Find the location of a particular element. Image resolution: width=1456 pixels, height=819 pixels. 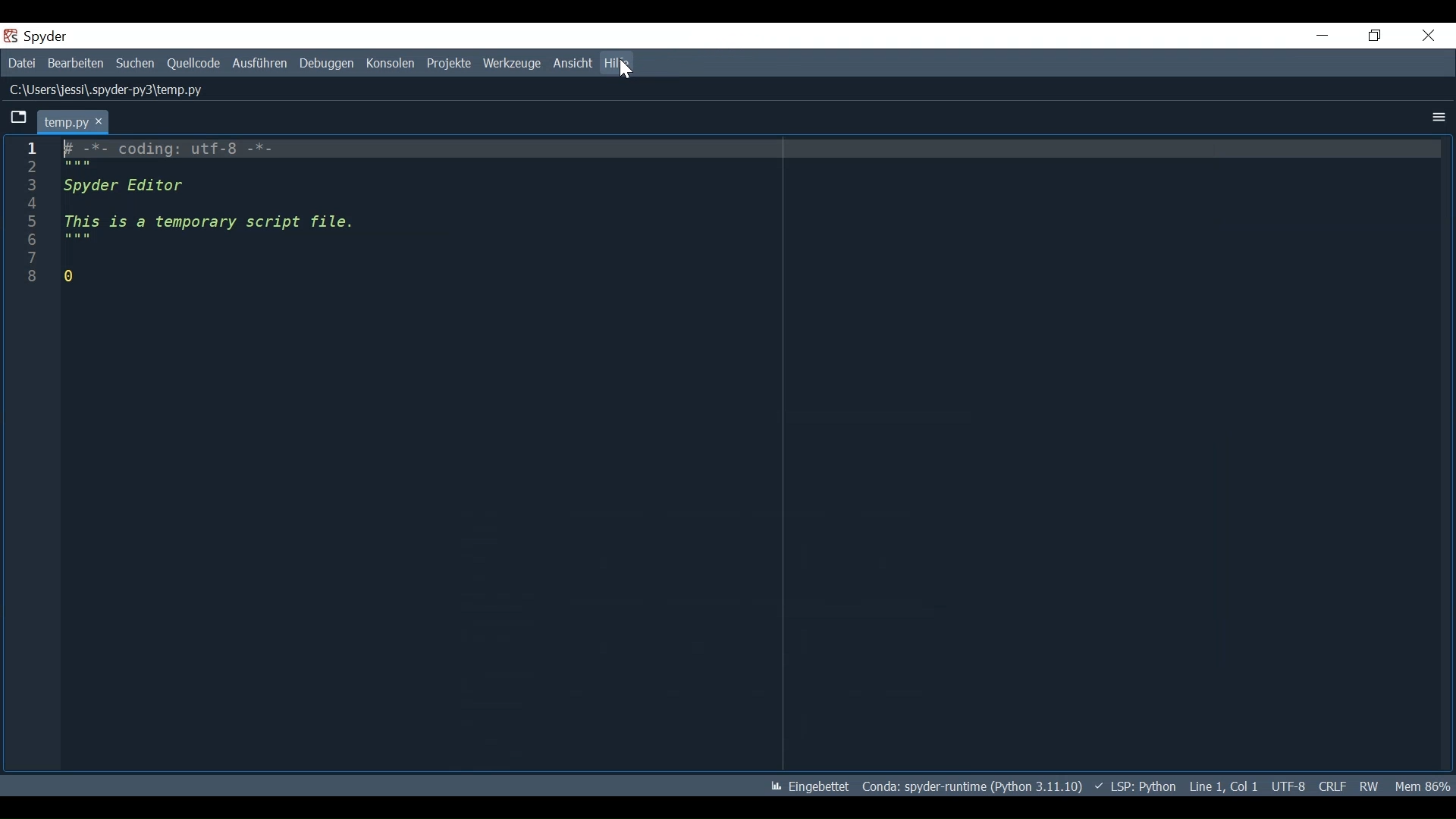

Edit is located at coordinates (75, 63).